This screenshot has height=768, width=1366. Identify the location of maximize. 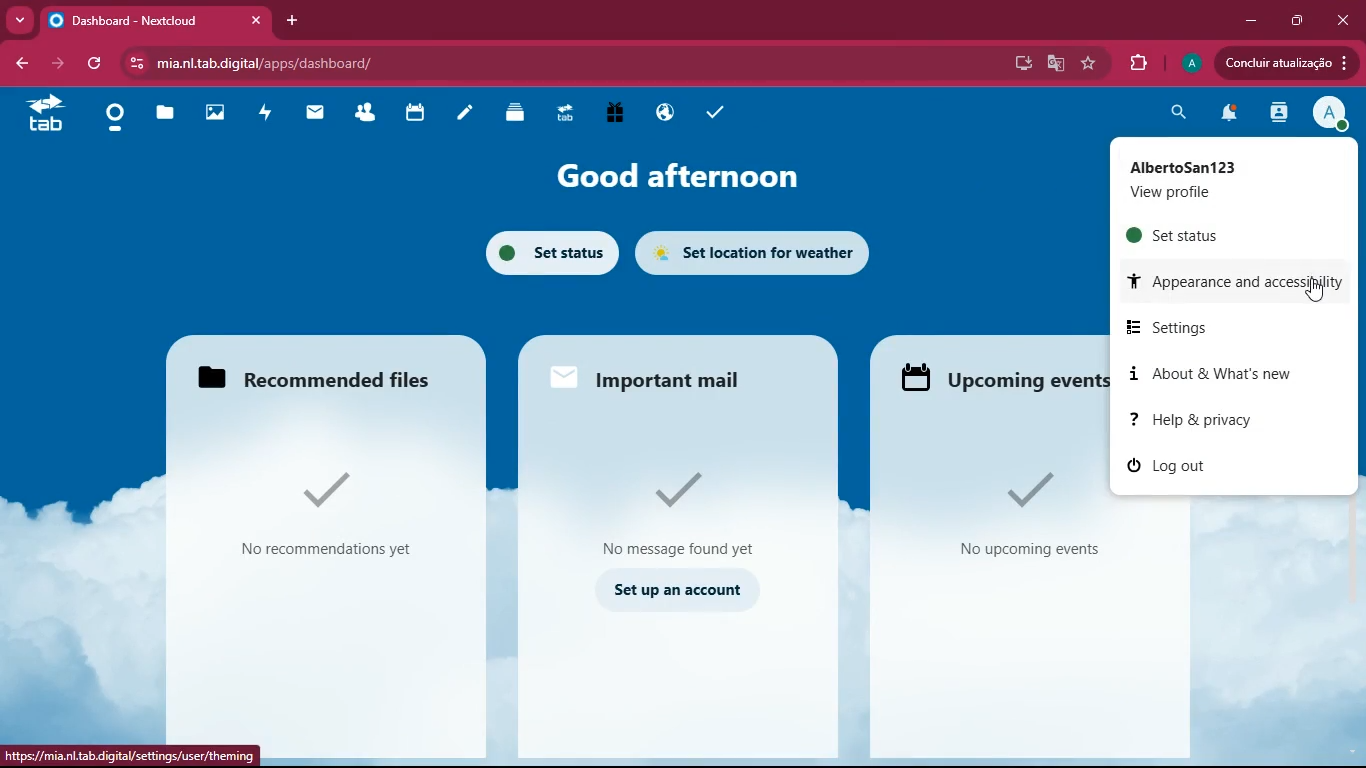
(1296, 20).